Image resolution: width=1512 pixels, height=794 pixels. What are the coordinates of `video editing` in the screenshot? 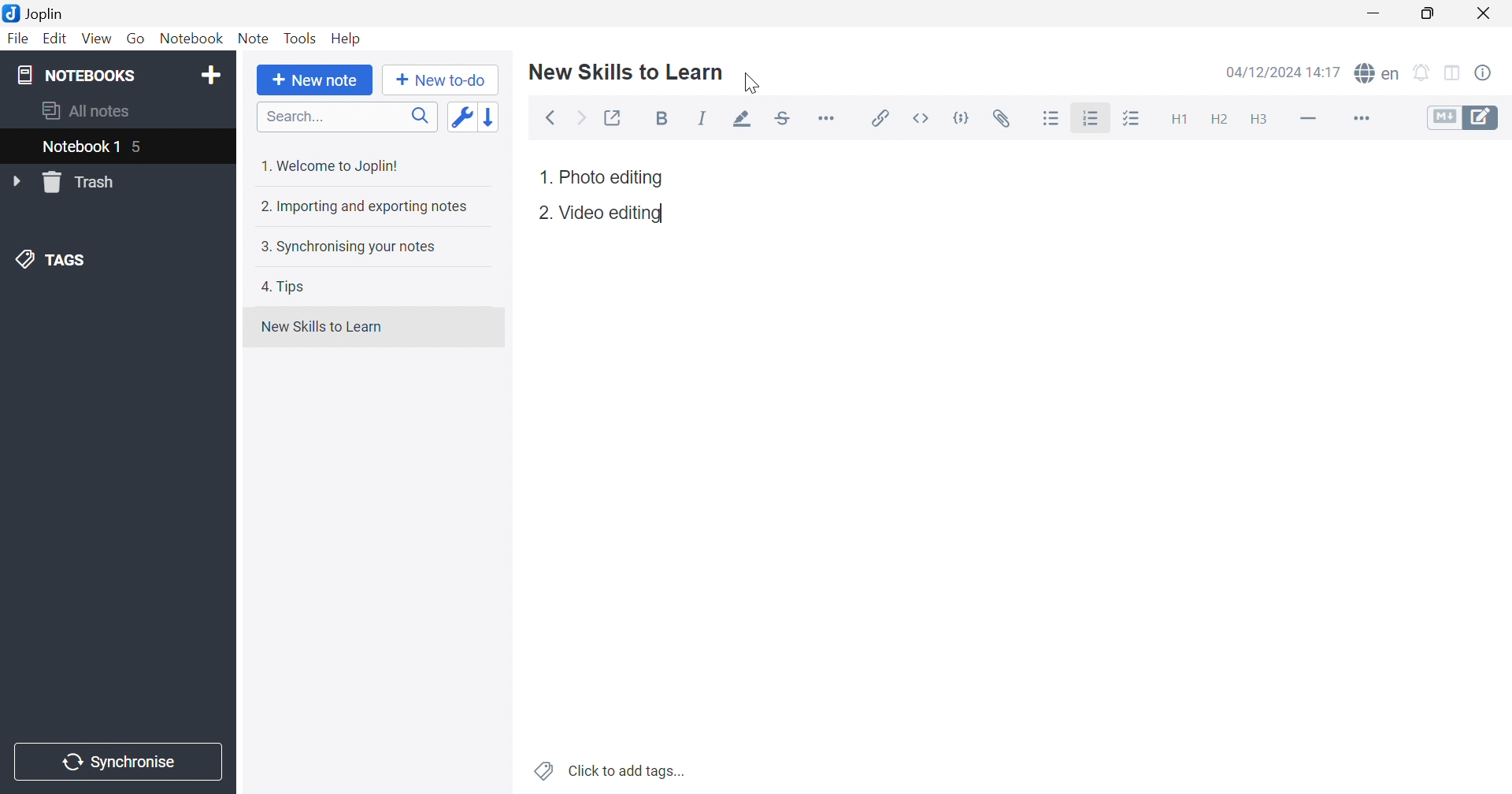 It's located at (614, 213).